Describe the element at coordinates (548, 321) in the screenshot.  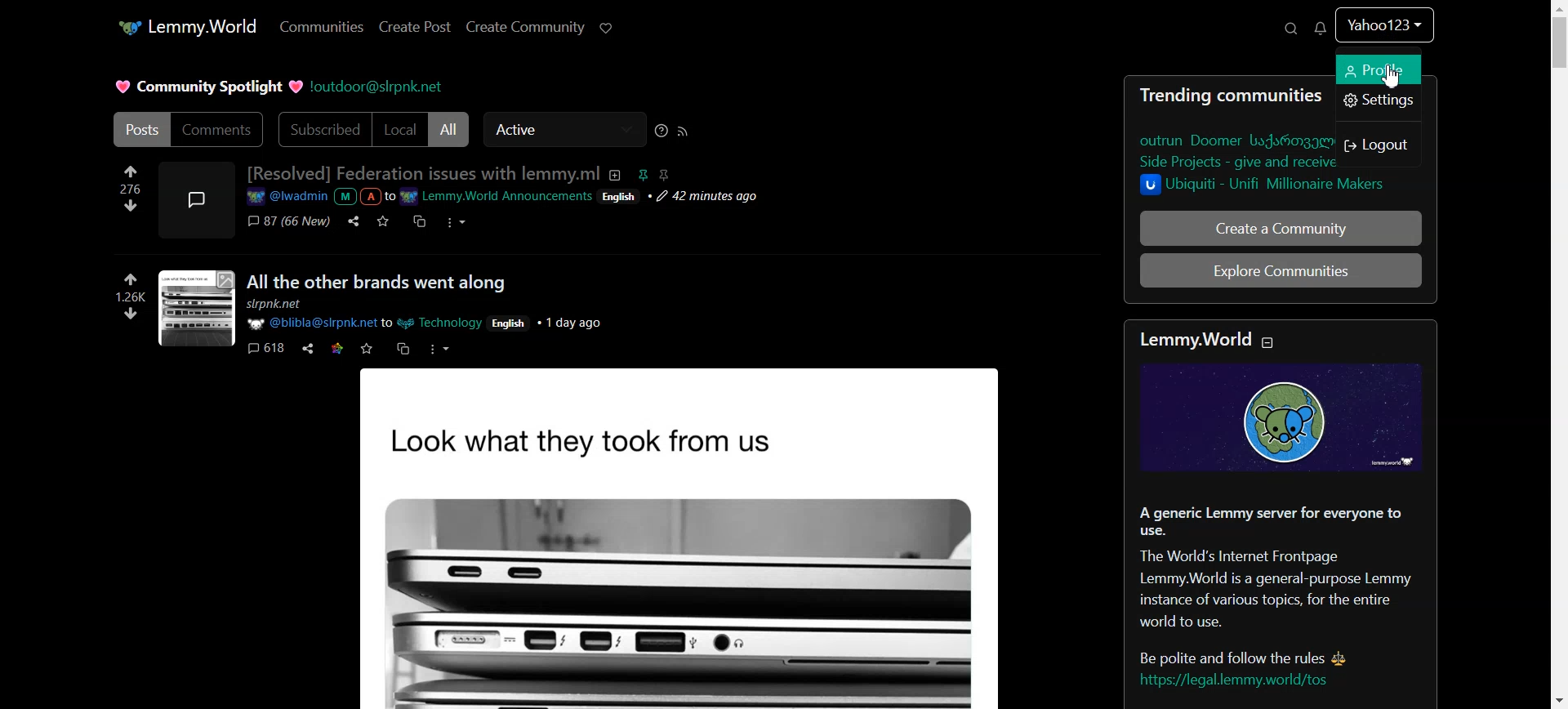
I see `English 1 day ago` at that location.